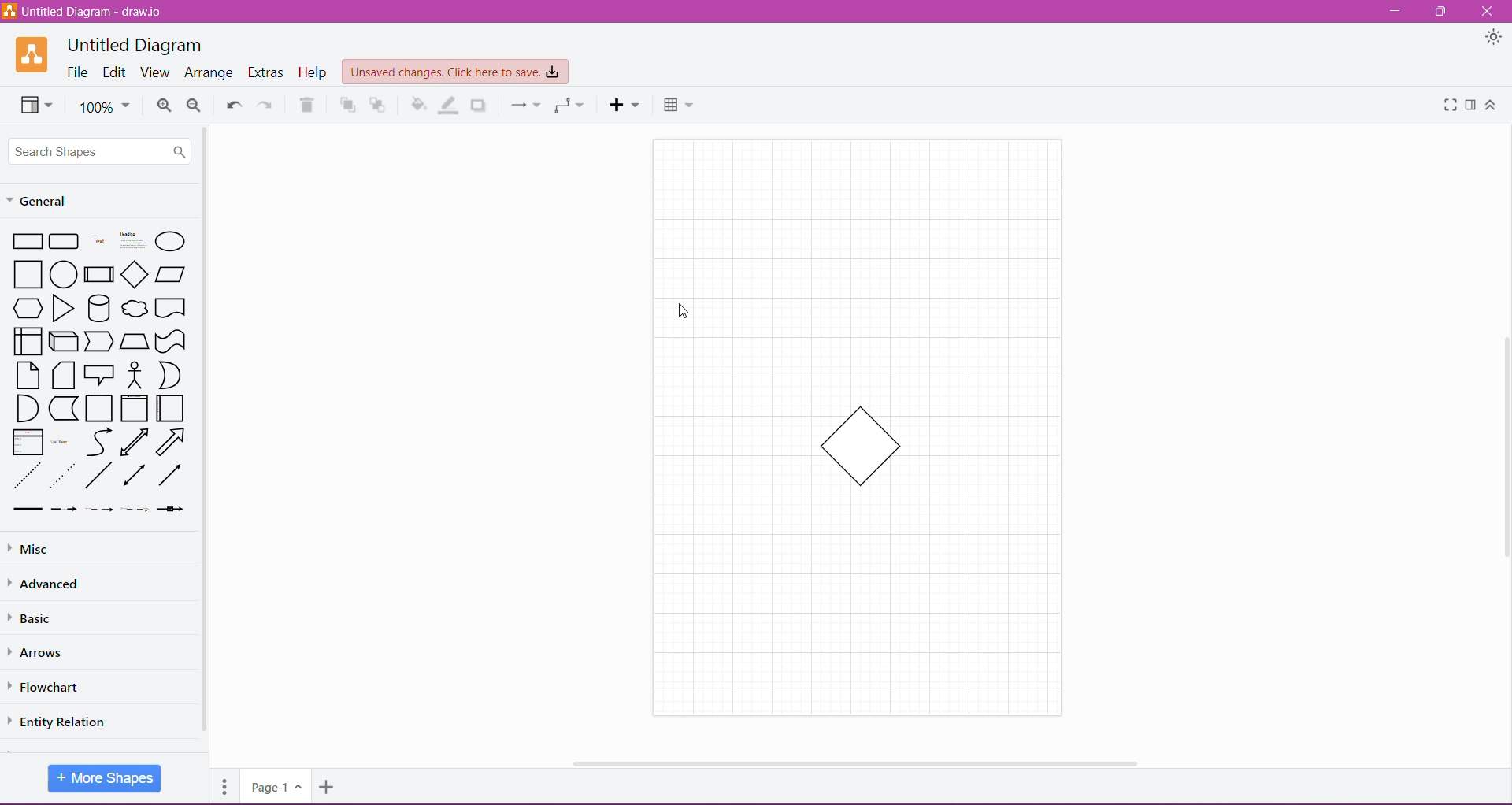  Describe the element at coordinates (265, 72) in the screenshot. I see `Extras` at that location.